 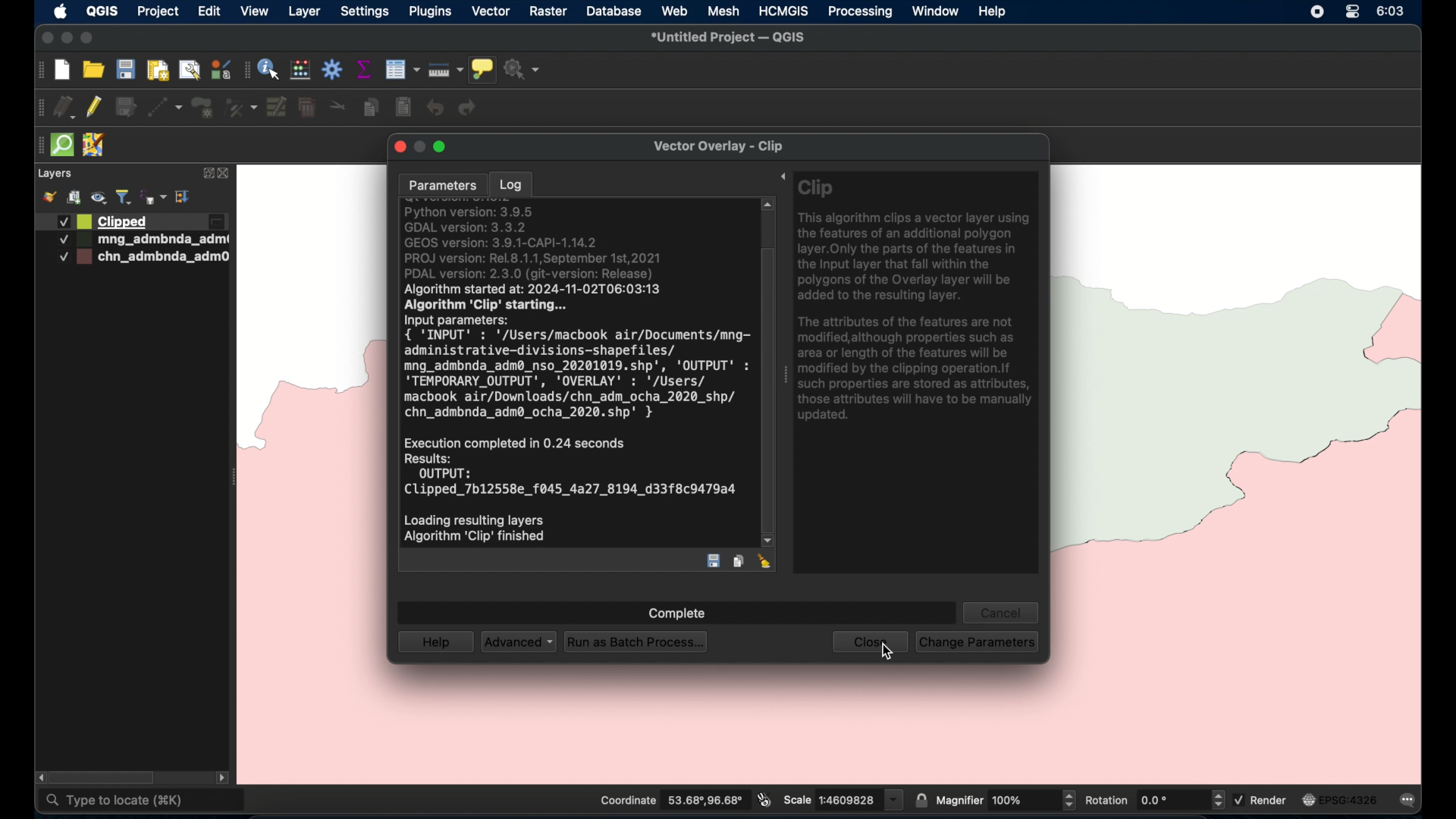 I want to click on attributes toolbar, so click(x=246, y=71).